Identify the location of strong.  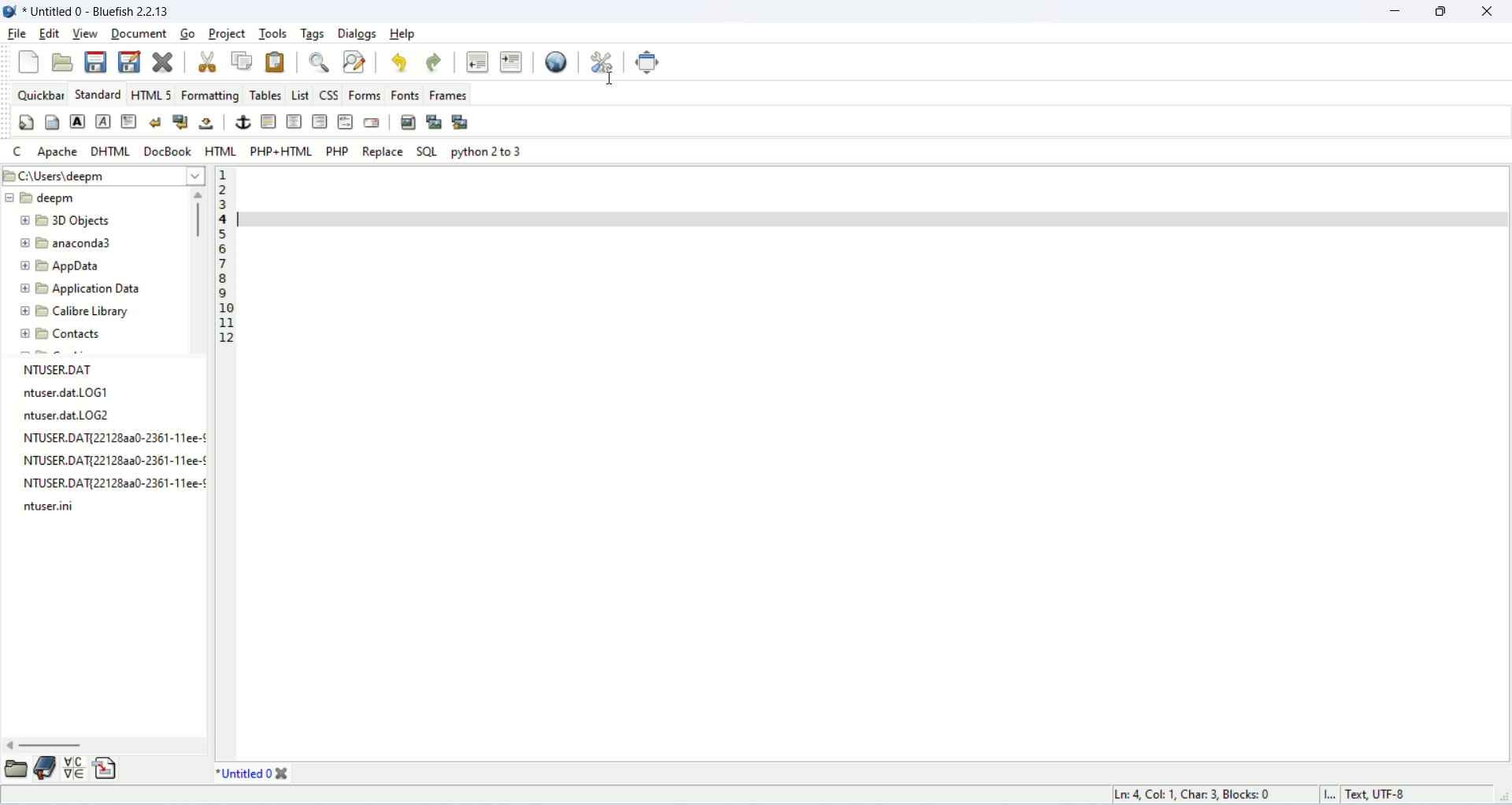
(77, 121).